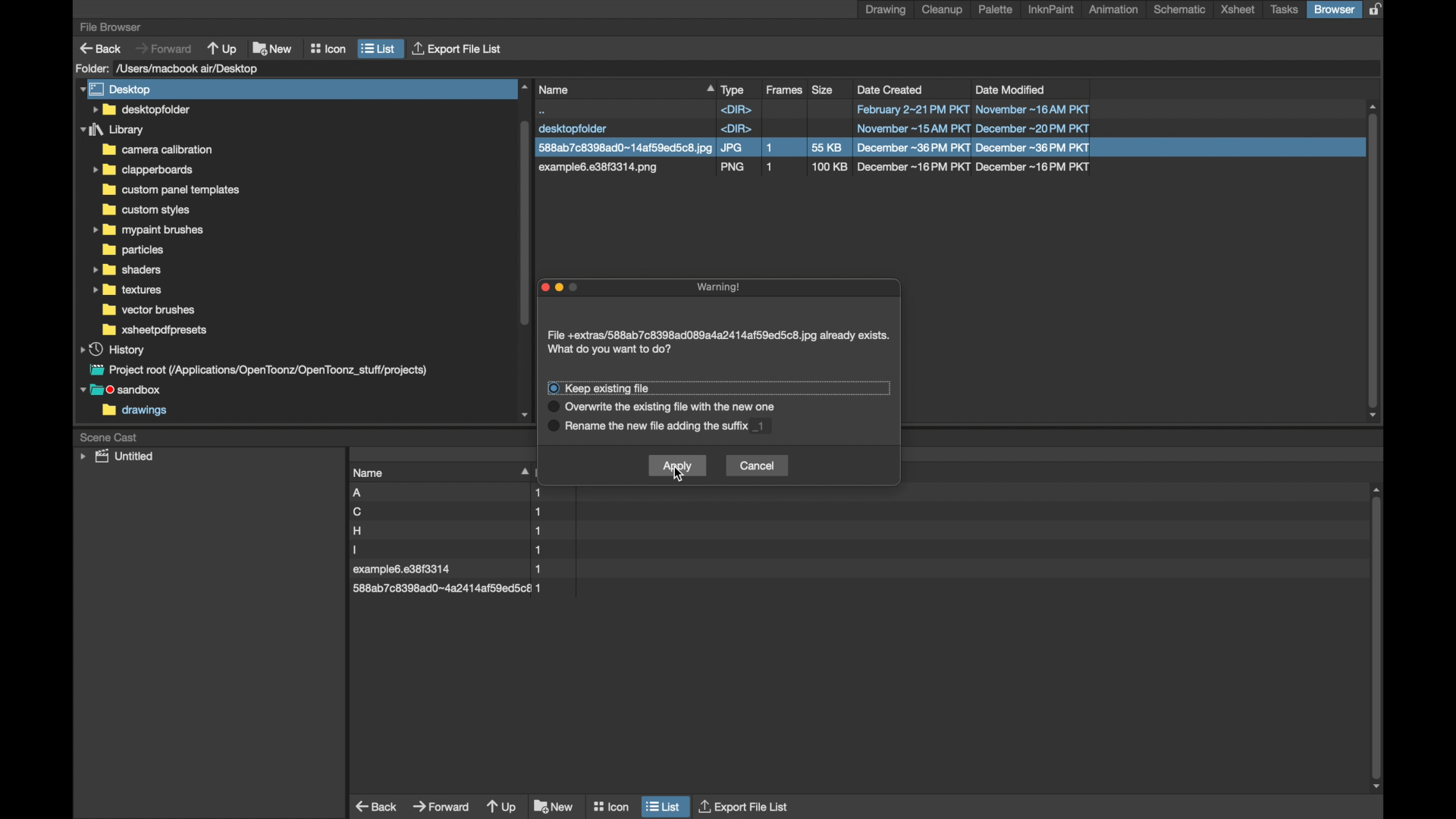 This screenshot has height=819, width=1456. What do you see at coordinates (686, 429) in the screenshot?
I see `description` at bounding box center [686, 429].